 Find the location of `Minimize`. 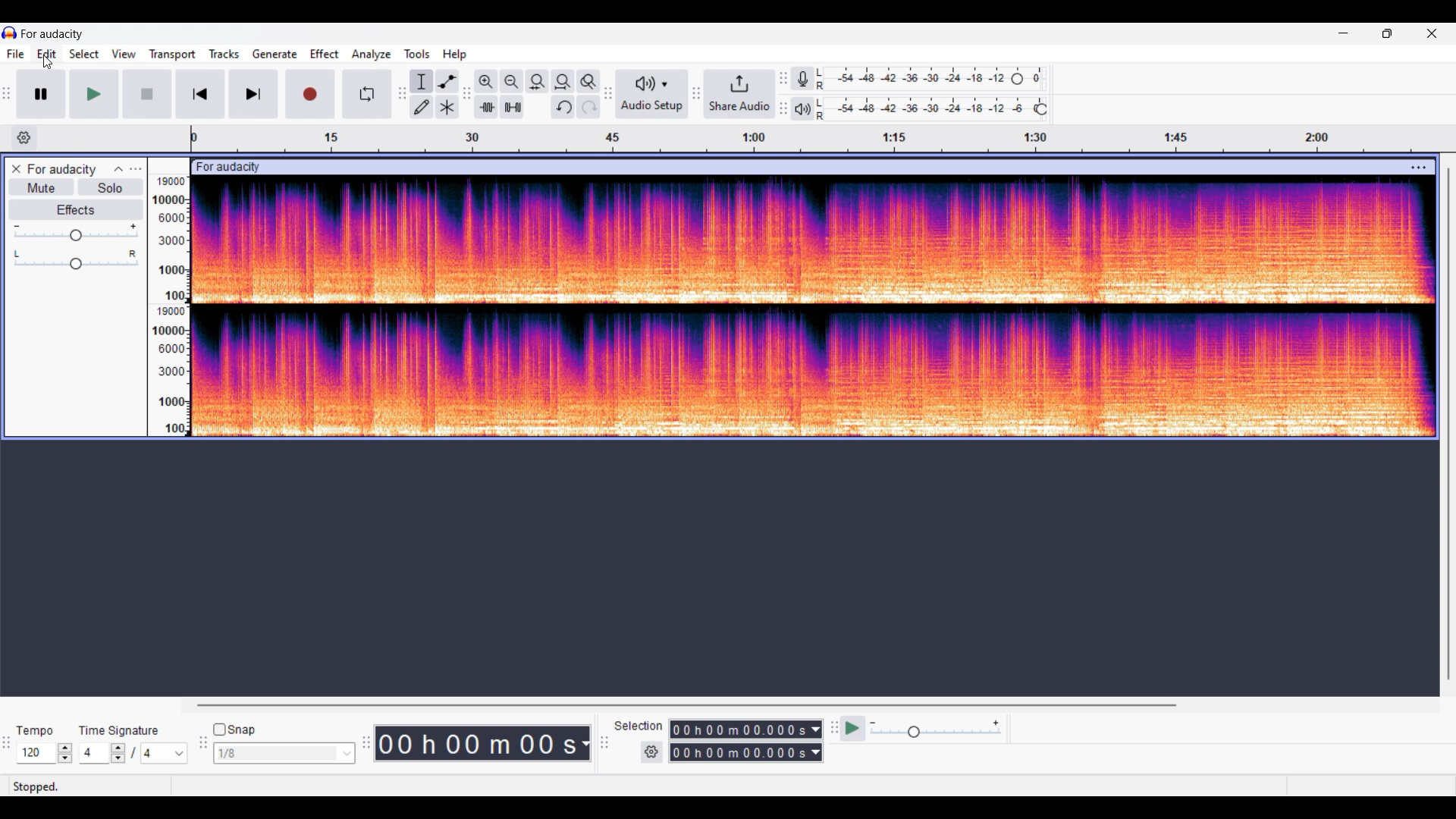

Minimize is located at coordinates (1344, 33).